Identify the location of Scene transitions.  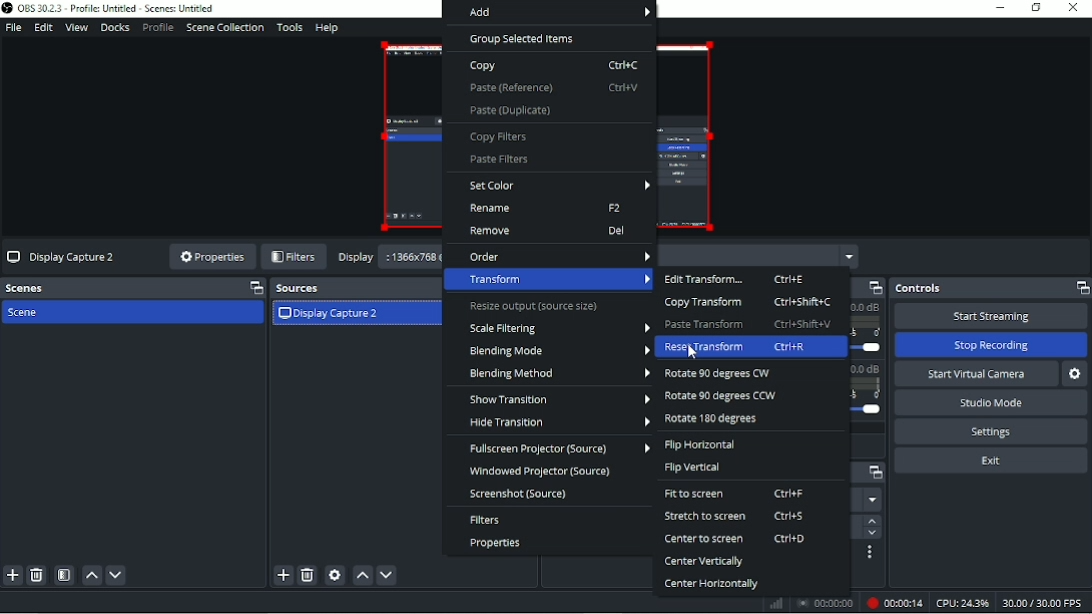
(872, 474).